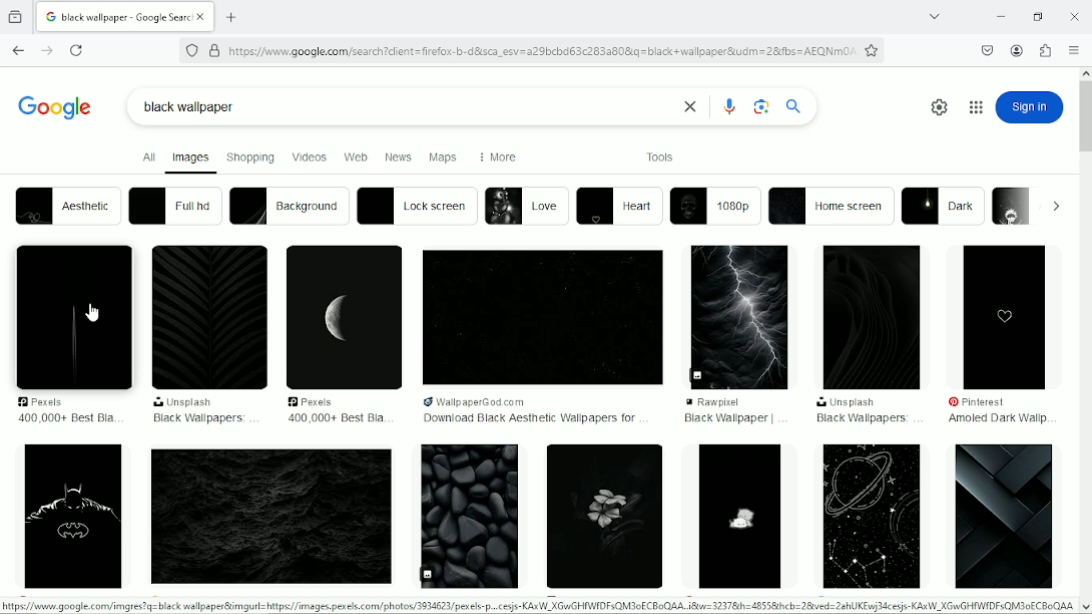 The height and width of the screenshot is (614, 1092). Describe the element at coordinates (728, 419) in the screenshot. I see `black wallpaper` at that location.